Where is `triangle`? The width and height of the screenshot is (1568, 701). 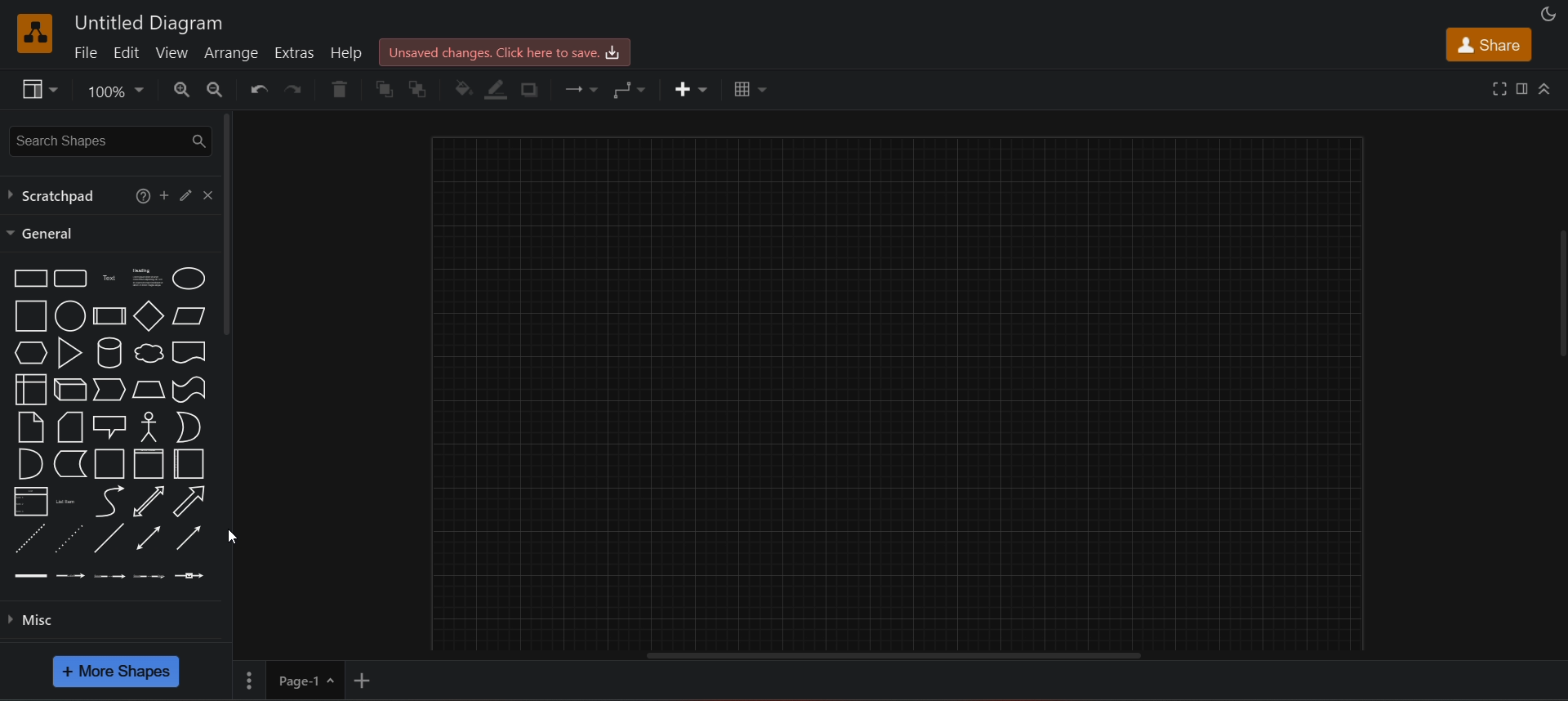 triangle is located at coordinates (69, 352).